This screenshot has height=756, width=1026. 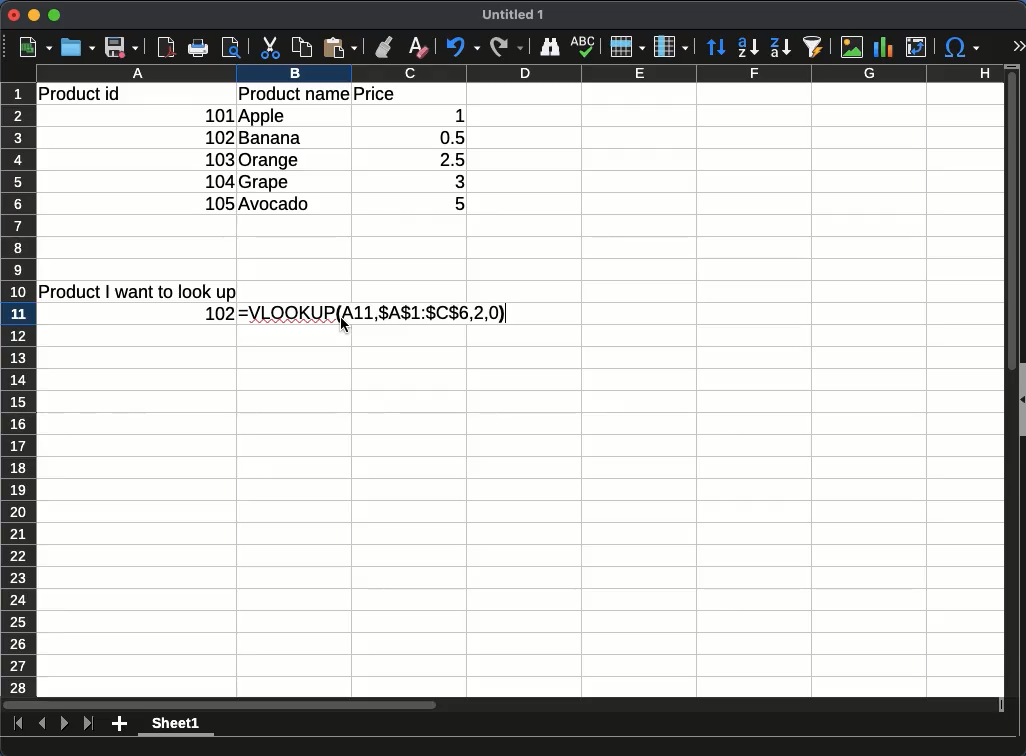 What do you see at coordinates (960, 47) in the screenshot?
I see `special character` at bounding box center [960, 47].